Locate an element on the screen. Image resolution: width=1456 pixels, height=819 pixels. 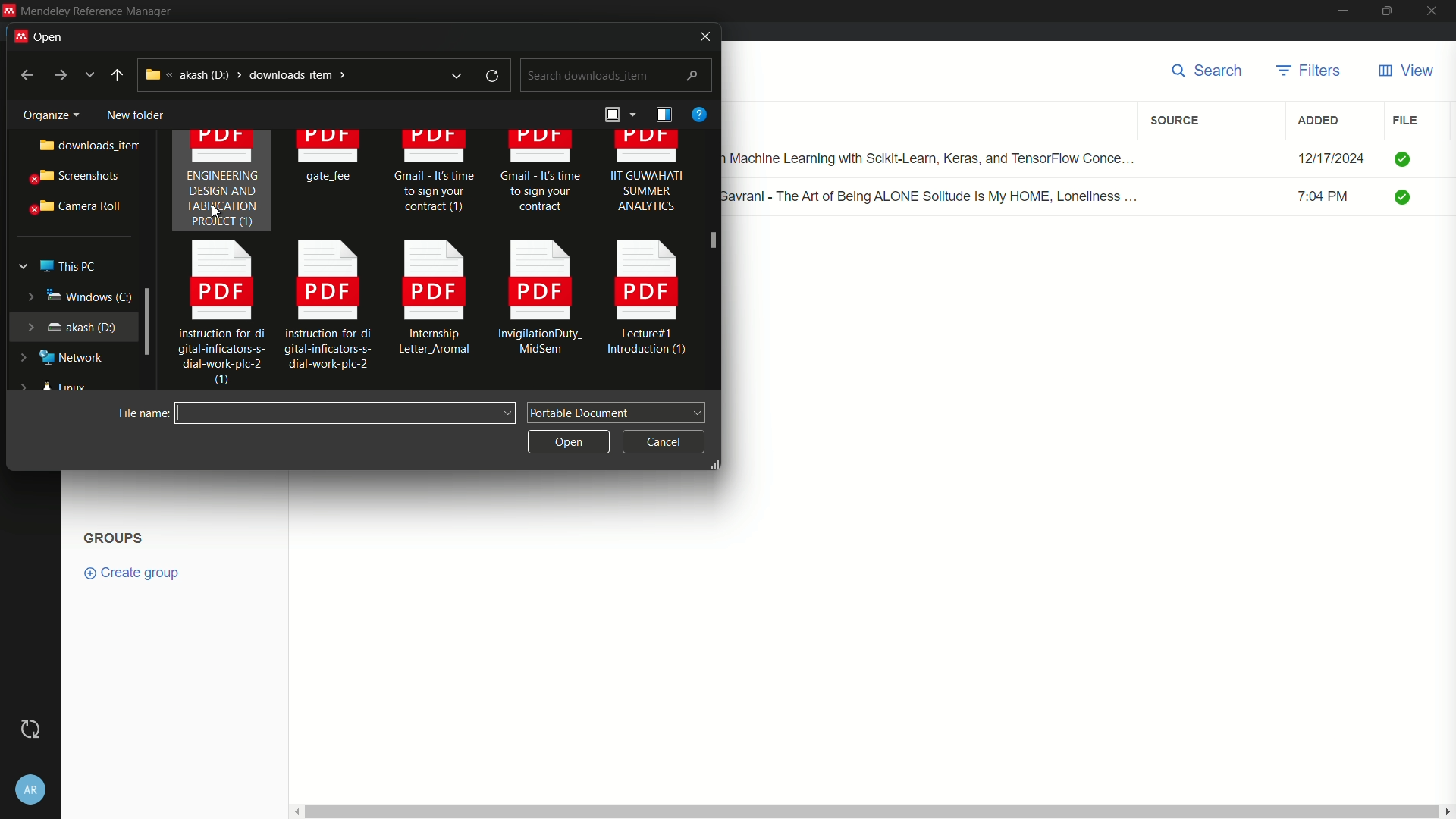
source is located at coordinates (1178, 121).